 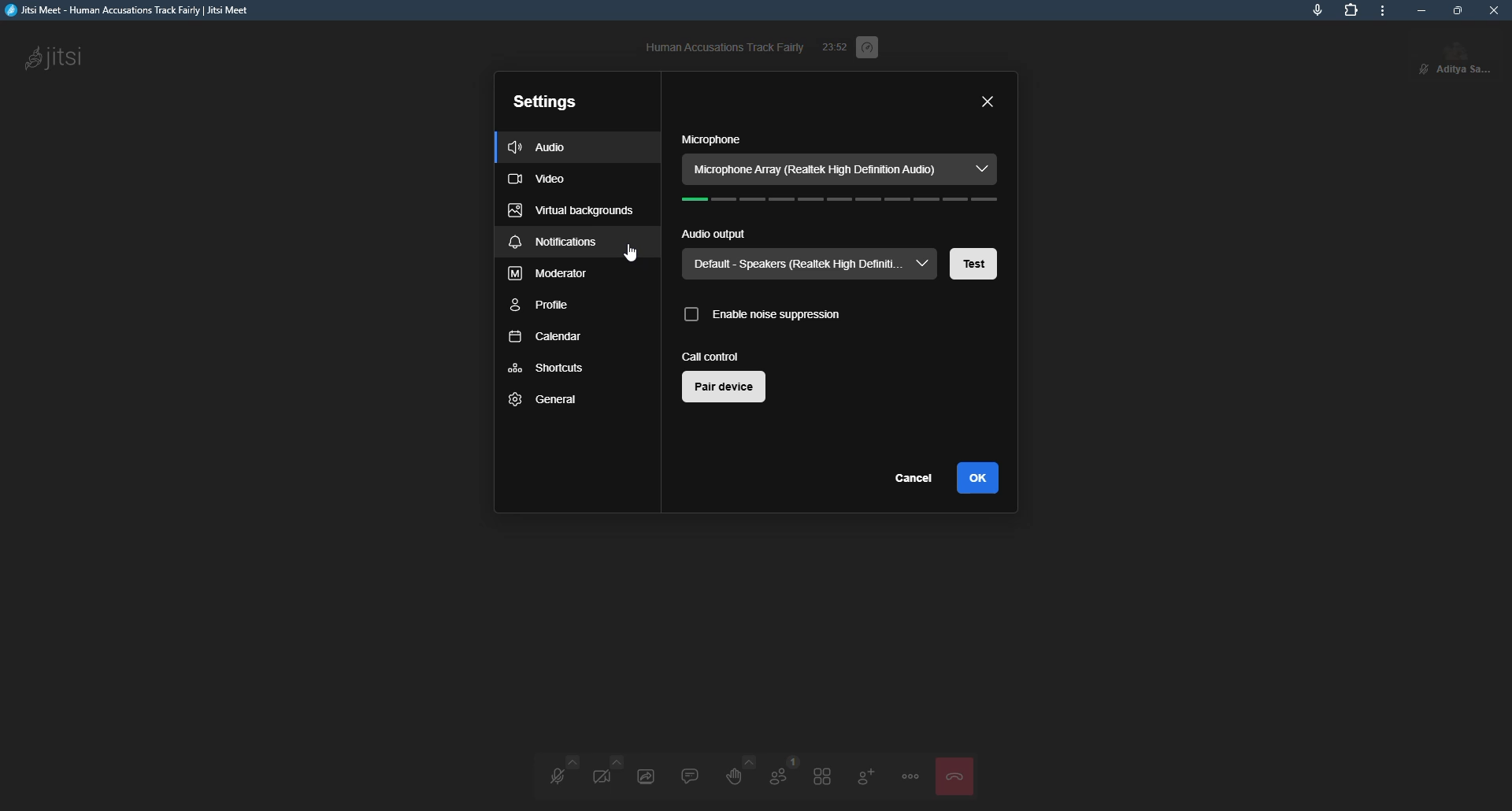 What do you see at coordinates (989, 102) in the screenshot?
I see `close` at bounding box center [989, 102].